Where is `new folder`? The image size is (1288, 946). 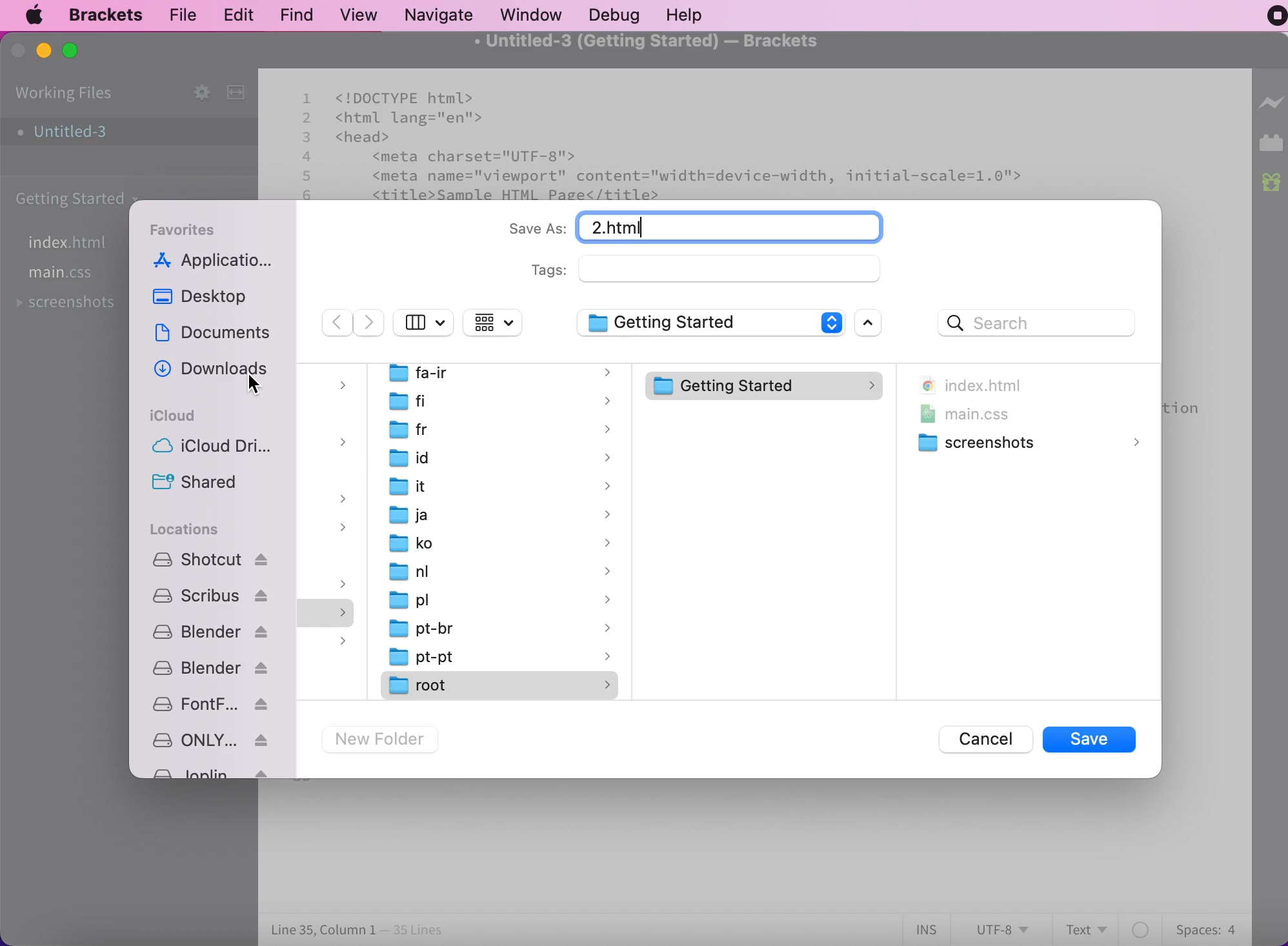
new folder is located at coordinates (385, 740).